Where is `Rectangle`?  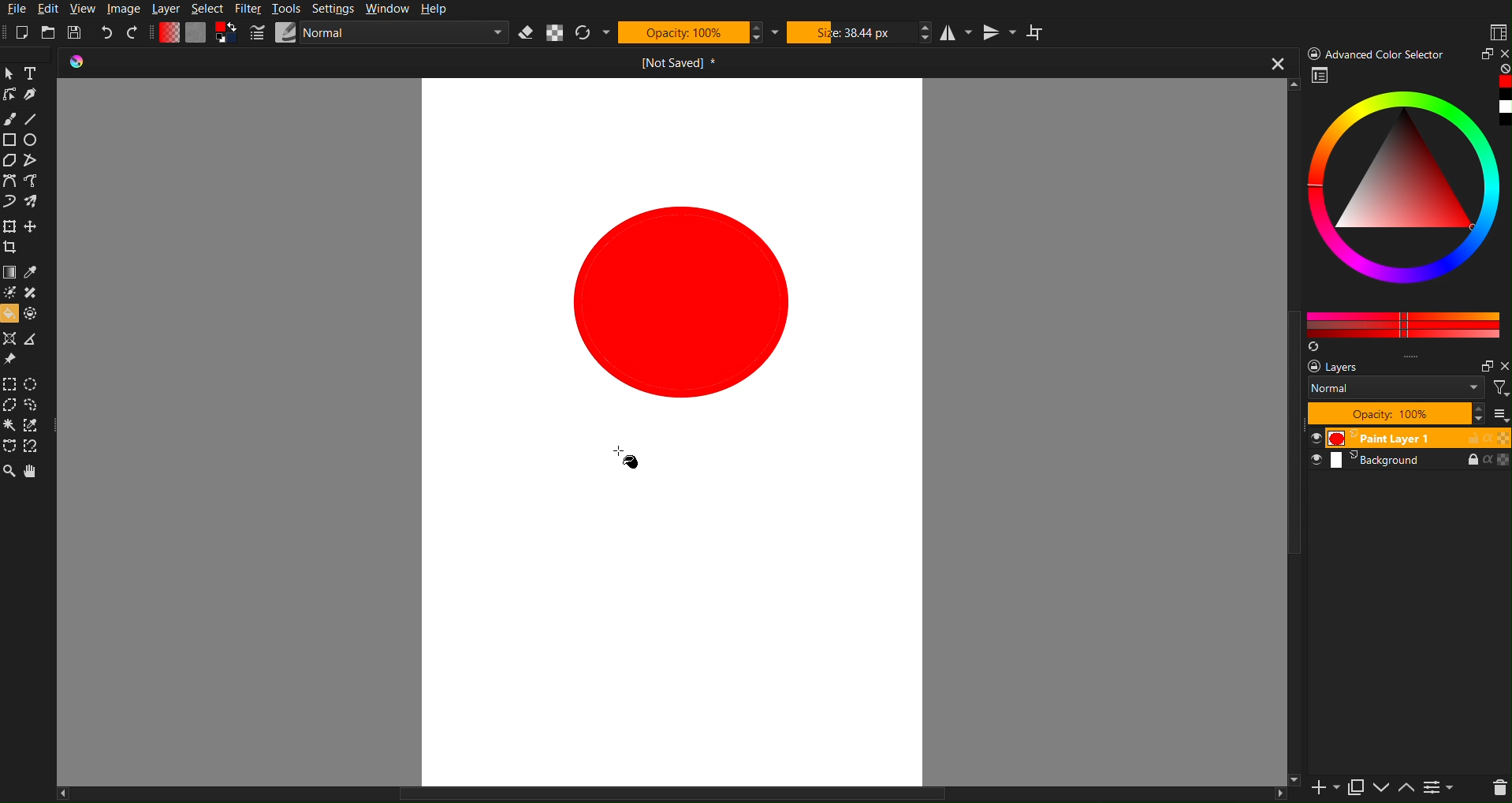
Rectangle is located at coordinates (9, 140).